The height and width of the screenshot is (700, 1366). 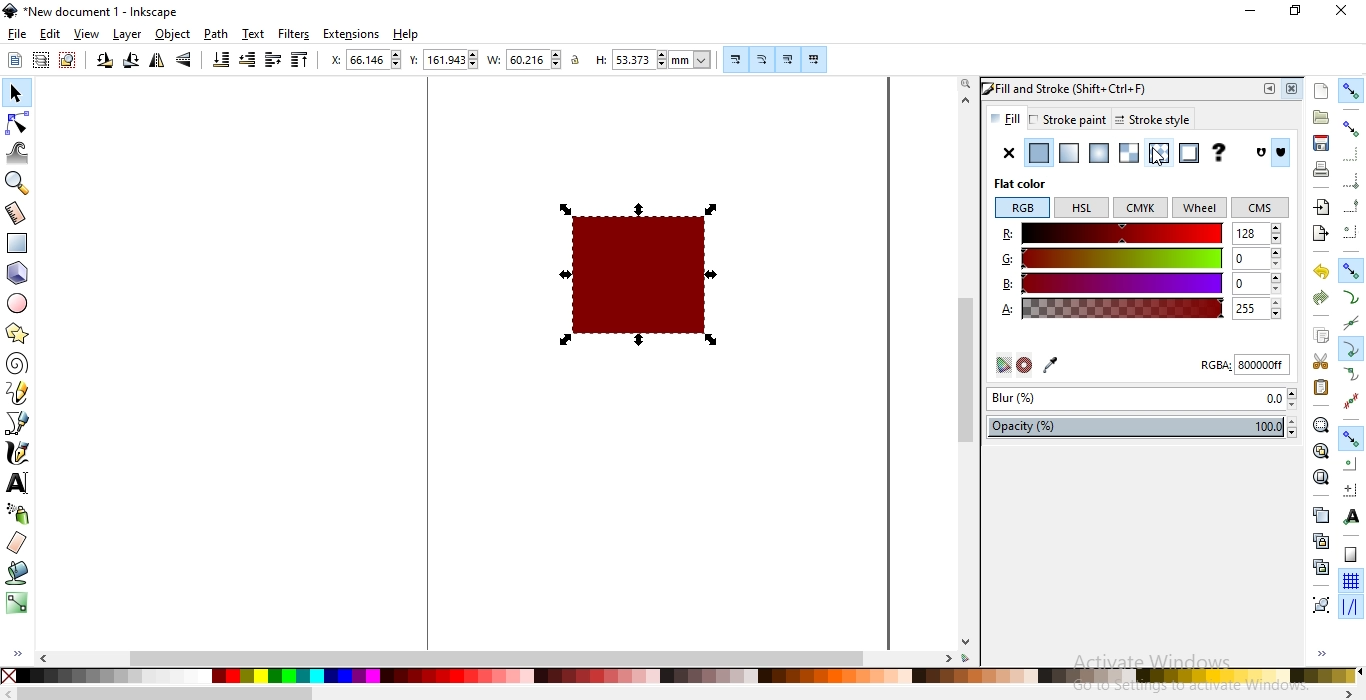 I want to click on select all objects in all visible and unlocked layers, so click(x=40, y=62).